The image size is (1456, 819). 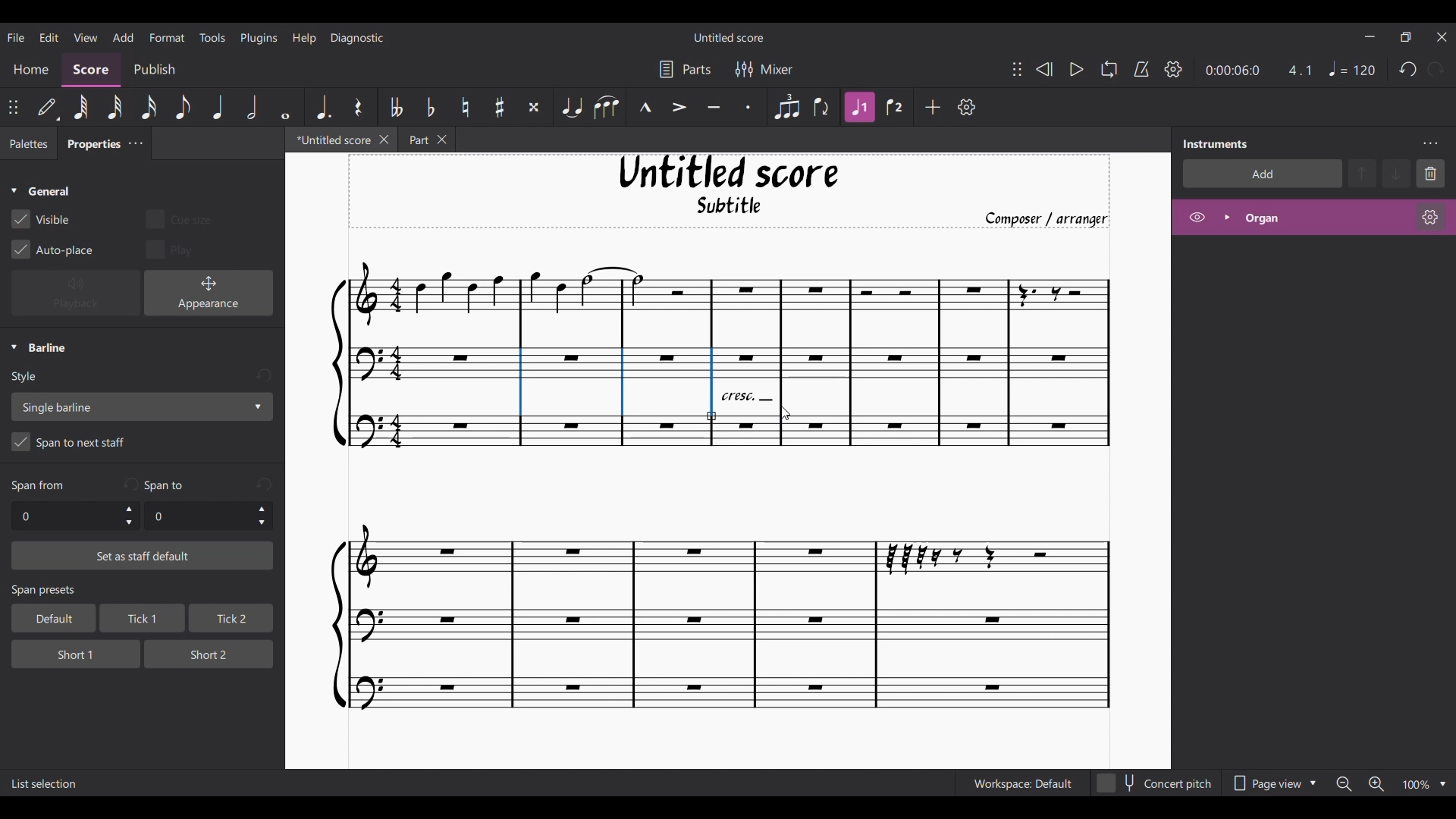 I want to click on Whole note, so click(x=287, y=106).